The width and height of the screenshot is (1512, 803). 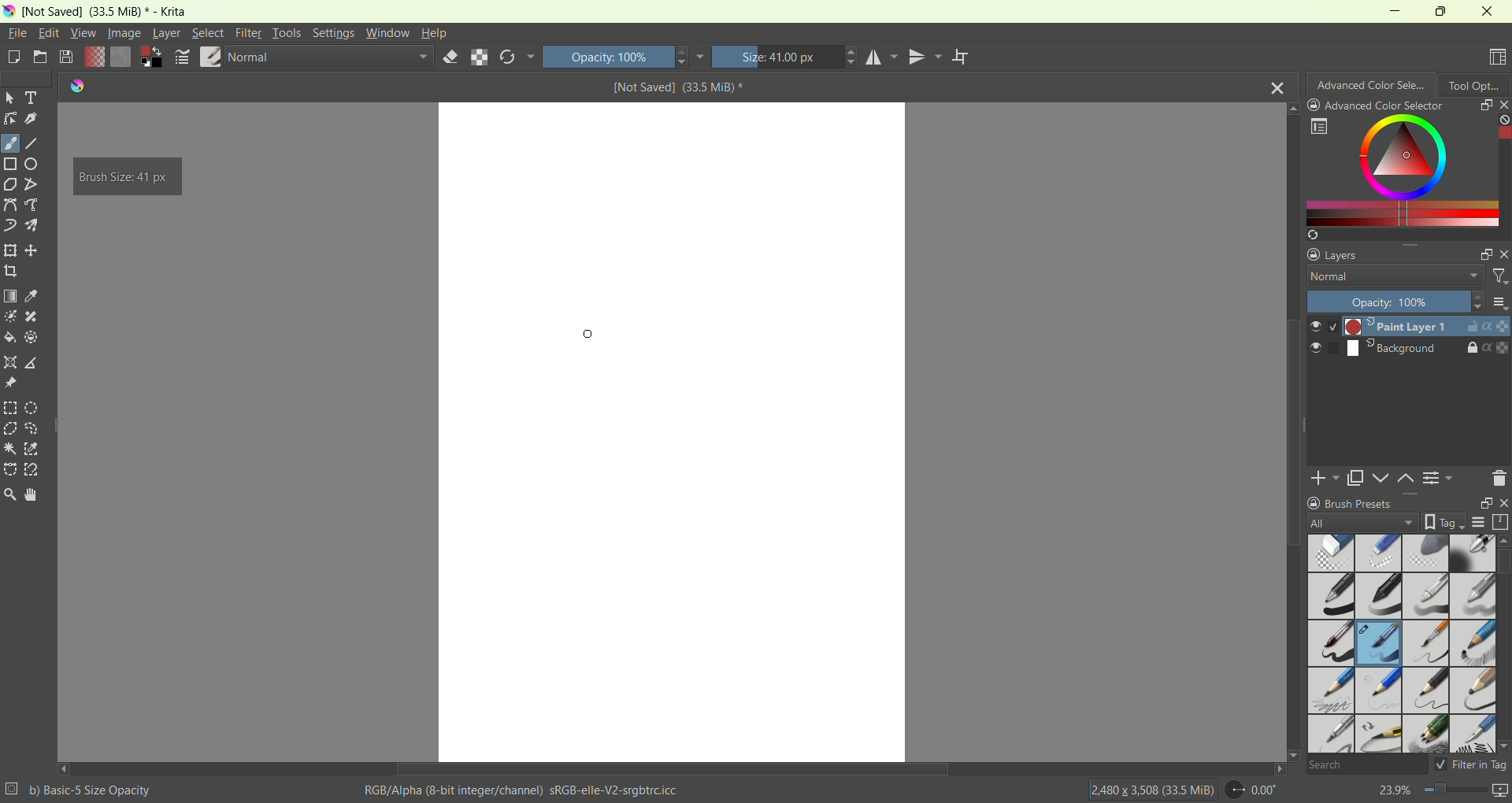 What do you see at coordinates (12, 361) in the screenshot?
I see `assistant tool` at bounding box center [12, 361].